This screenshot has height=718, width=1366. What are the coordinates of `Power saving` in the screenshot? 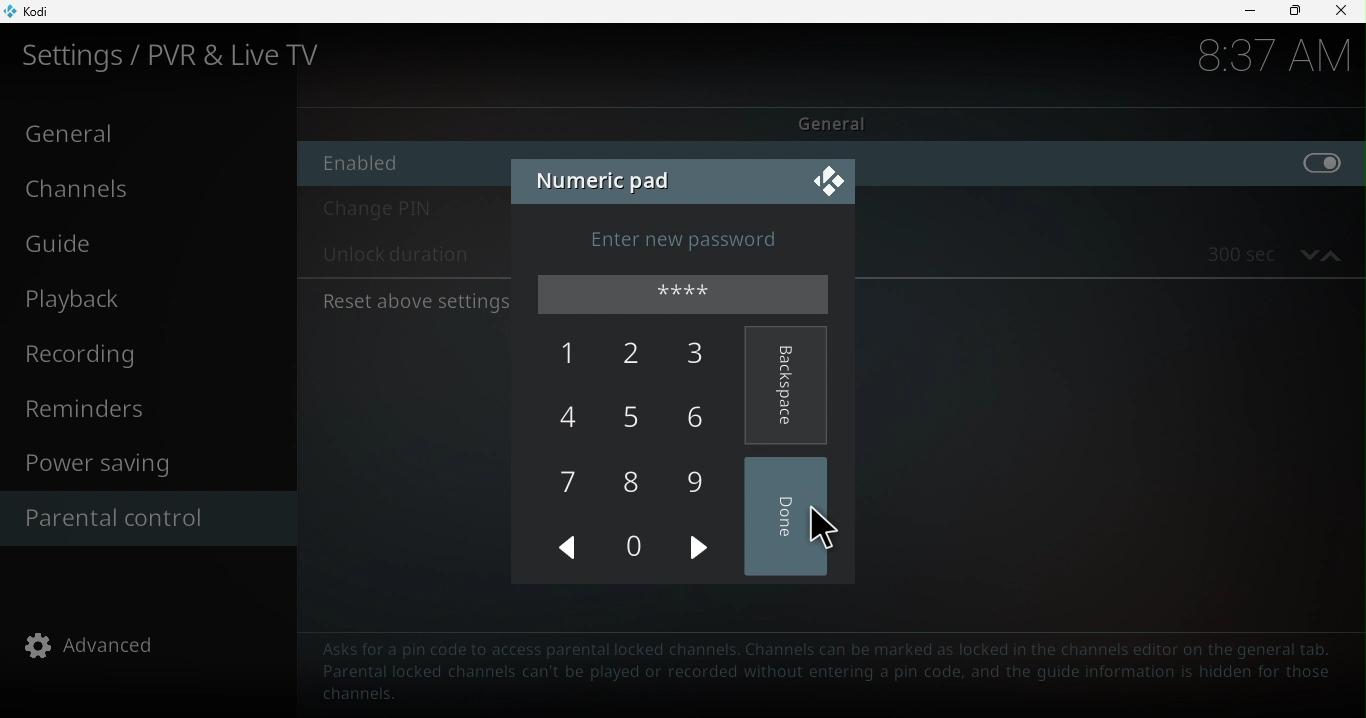 It's located at (149, 464).